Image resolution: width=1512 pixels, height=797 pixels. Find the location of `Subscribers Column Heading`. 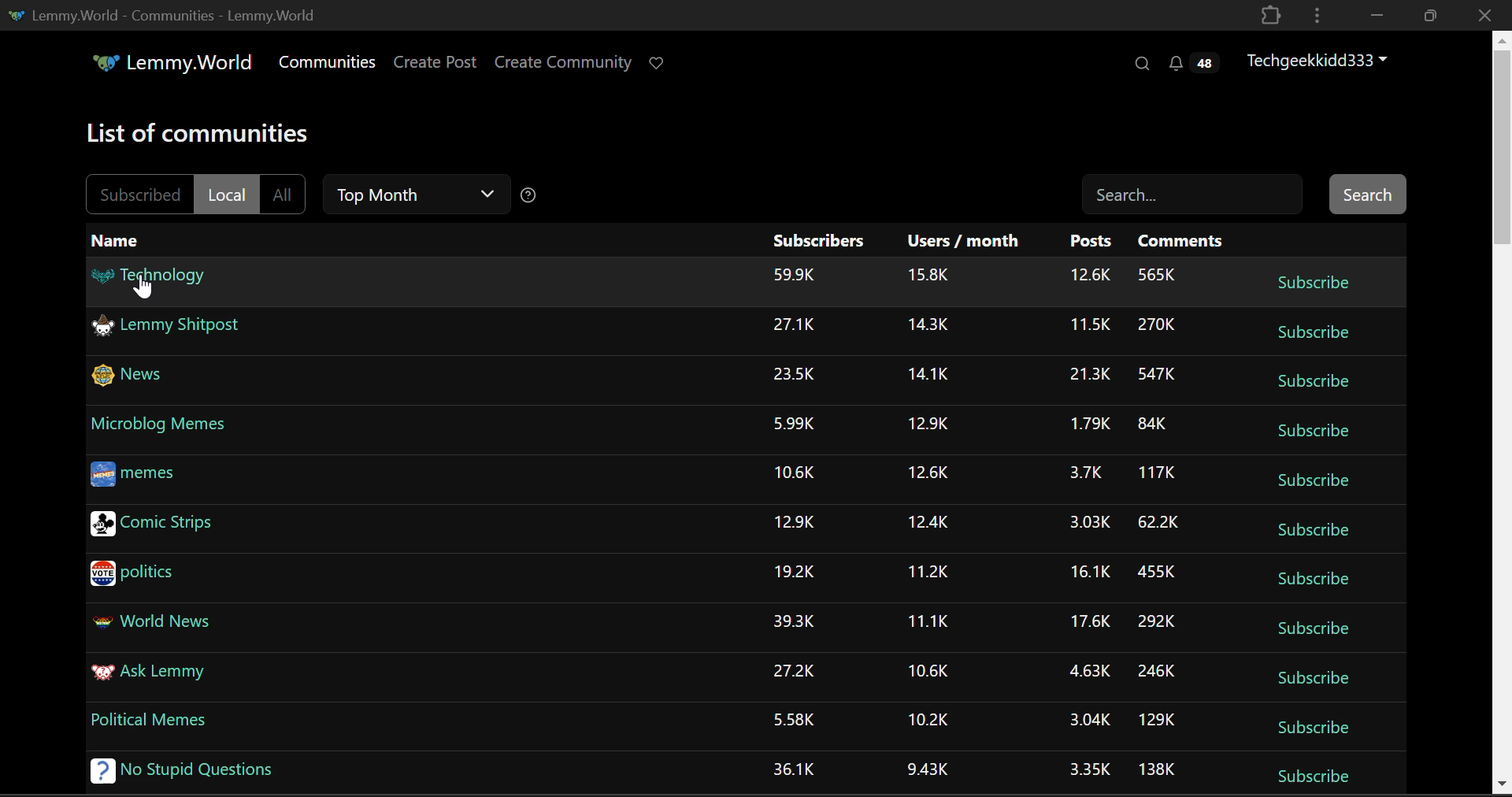

Subscribers Column Heading is located at coordinates (817, 238).